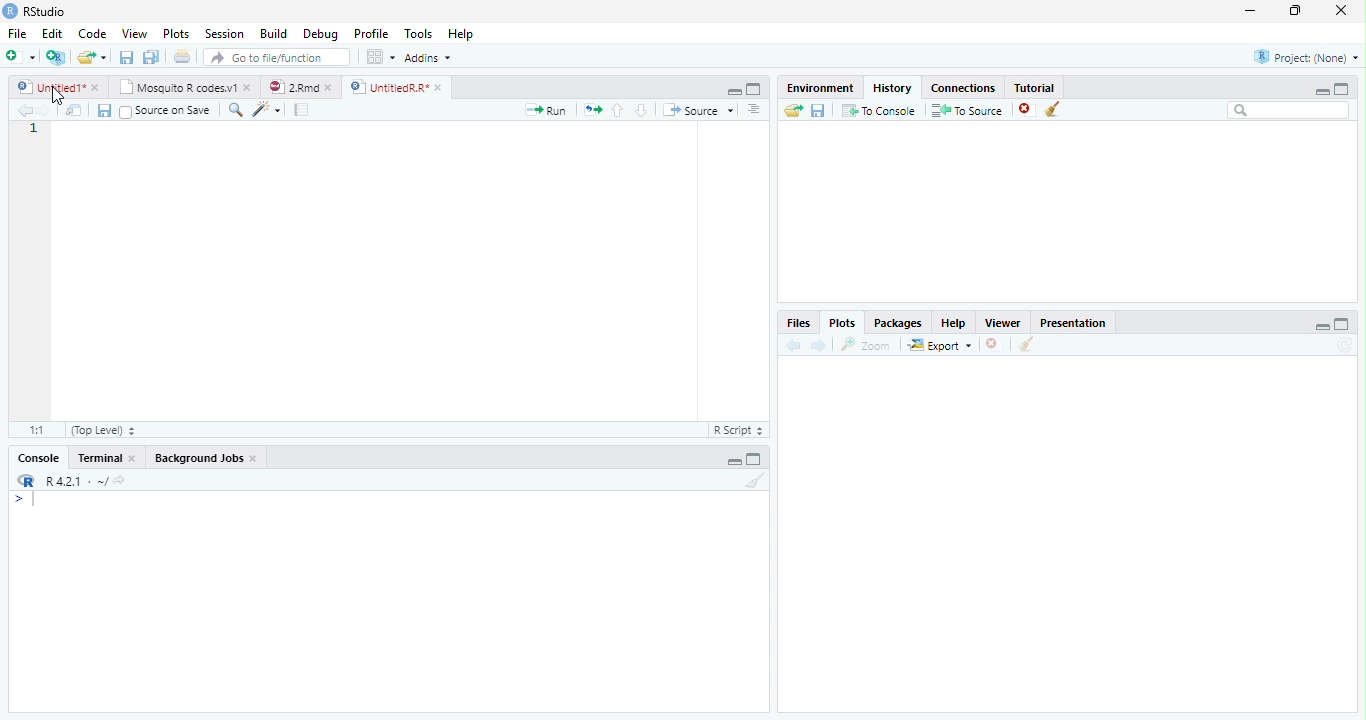 The height and width of the screenshot is (720, 1366). Describe the element at coordinates (1288, 110) in the screenshot. I see `Search bar` at that location.